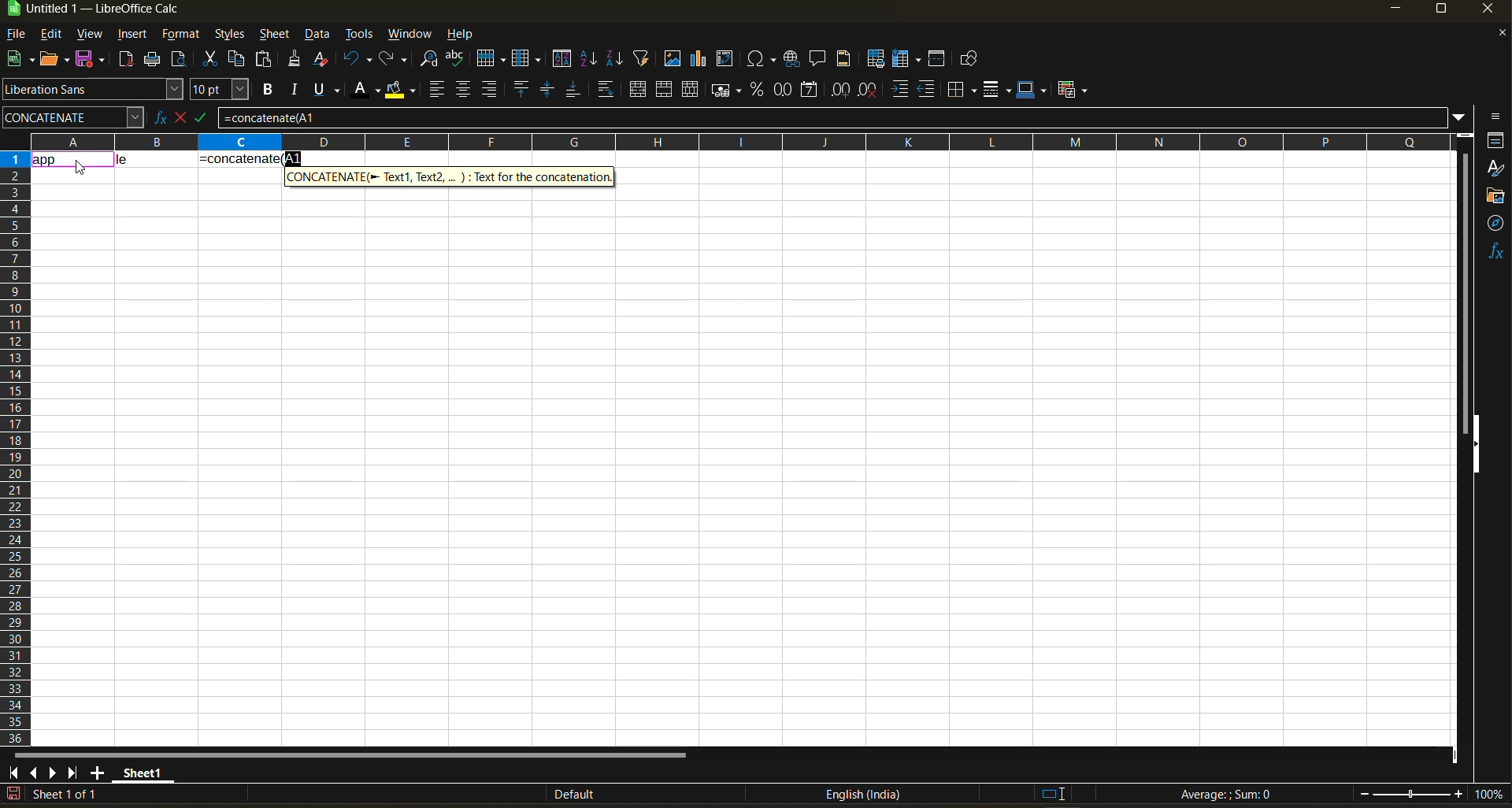  Describe the element at coordinates (962, 90) in the screenshot. I see `borders` at that location.